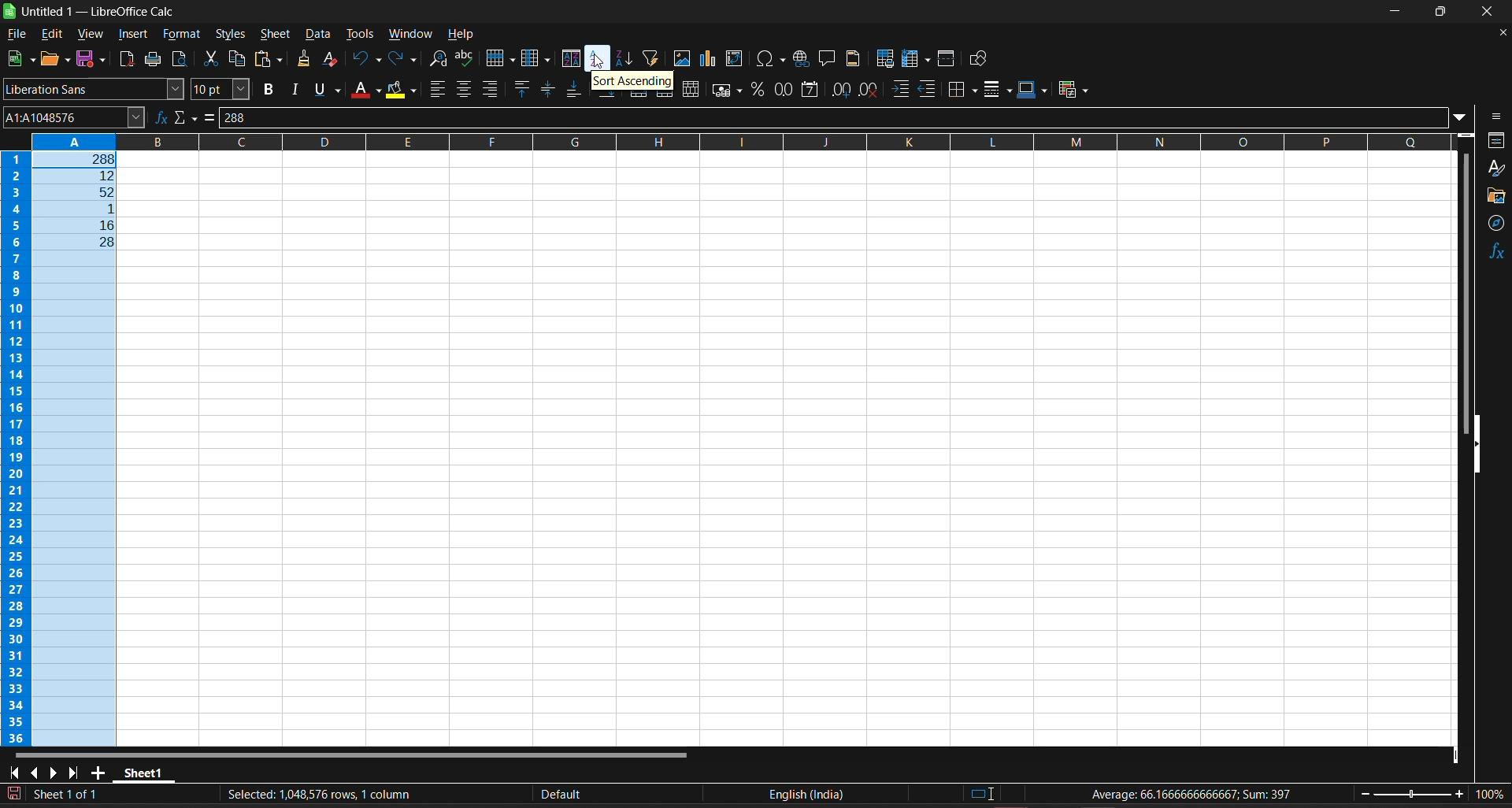  Describe the element at coordinates (329, 89) in the screenshot. I see `underline` at that location.